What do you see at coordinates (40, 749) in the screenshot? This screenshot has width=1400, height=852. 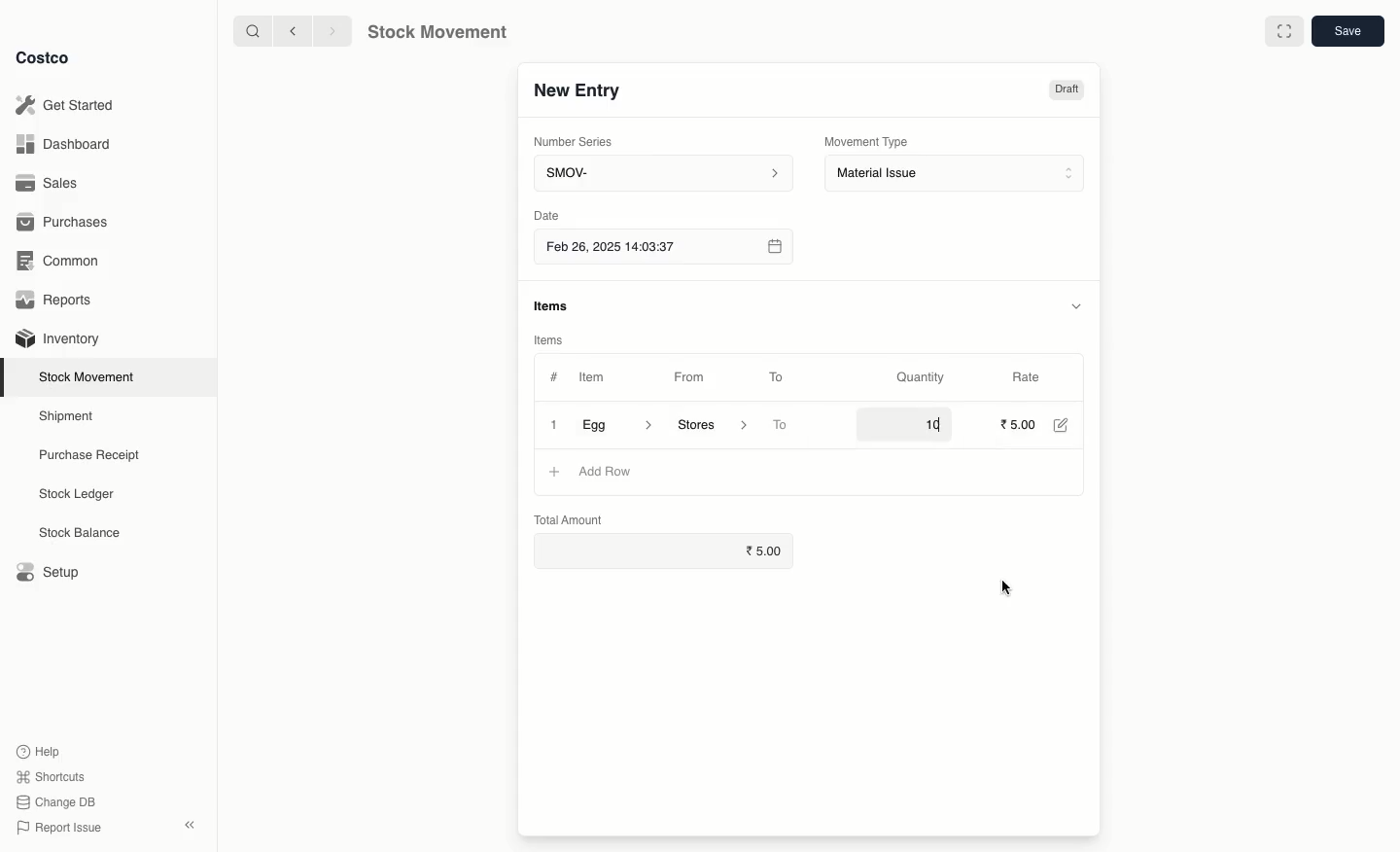 I see `Help` at bounding box center [40, 749].